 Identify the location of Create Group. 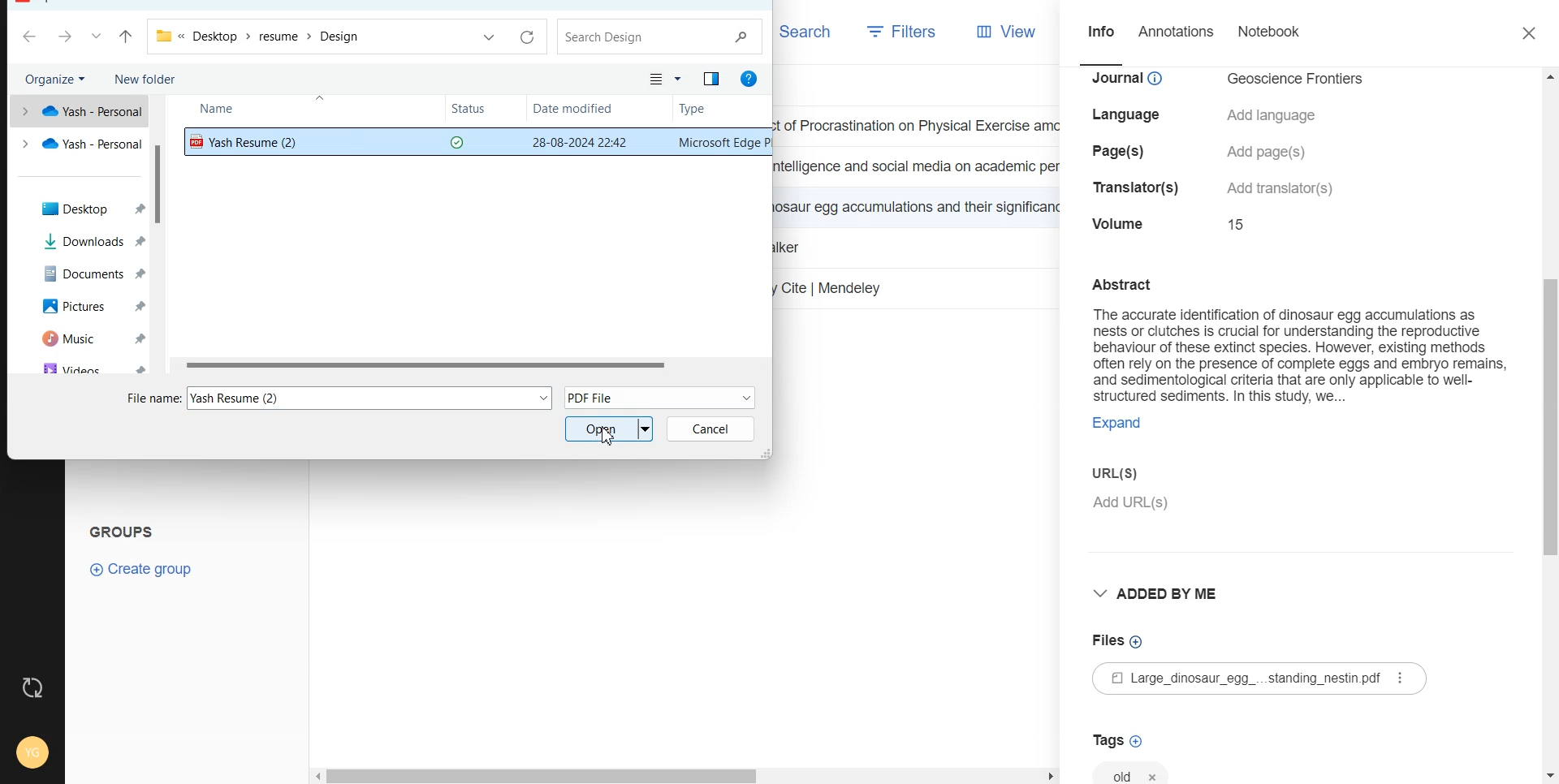
(142, 569).